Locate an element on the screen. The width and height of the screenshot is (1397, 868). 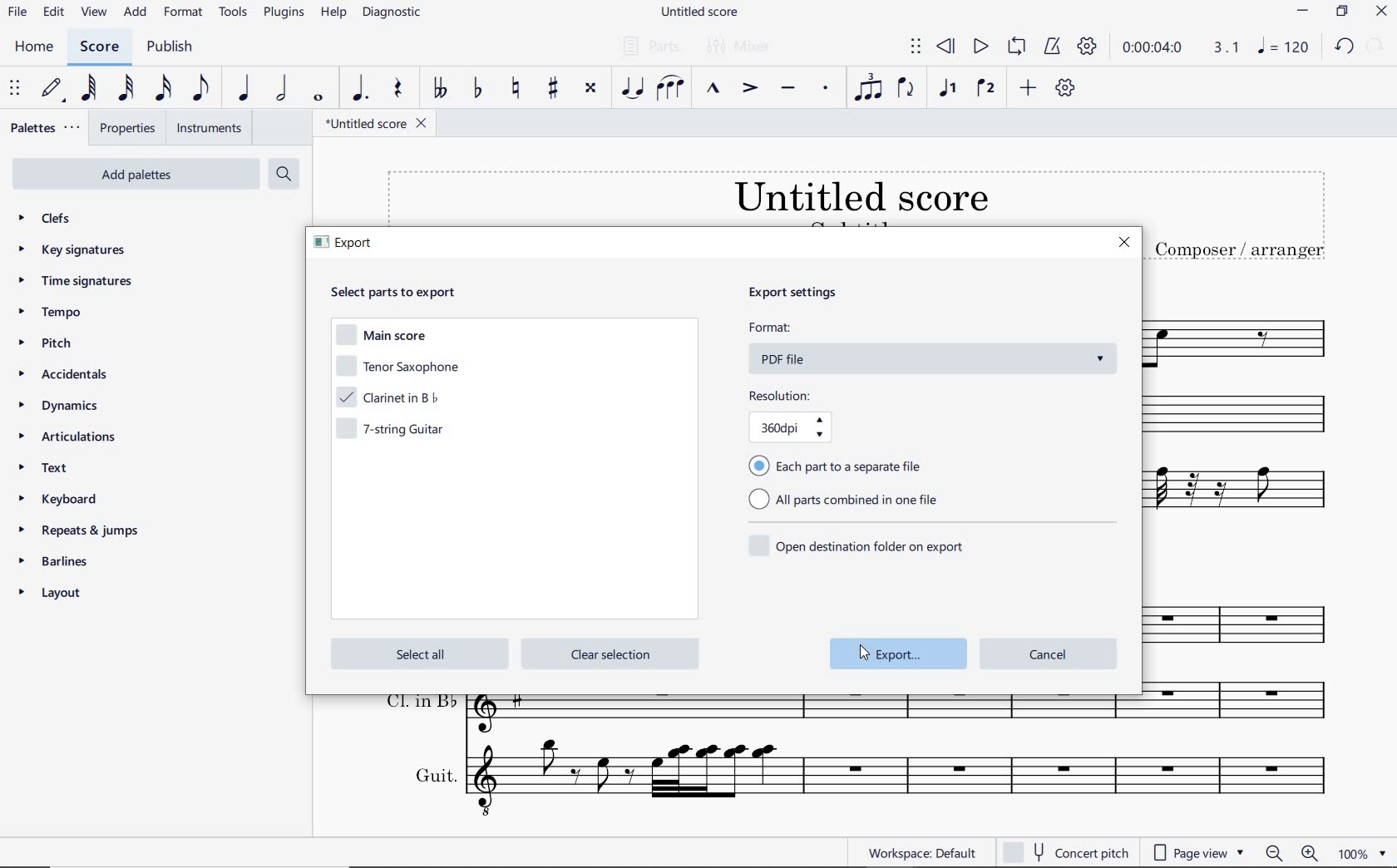
FORMAT is located at coordinates (184, 12).